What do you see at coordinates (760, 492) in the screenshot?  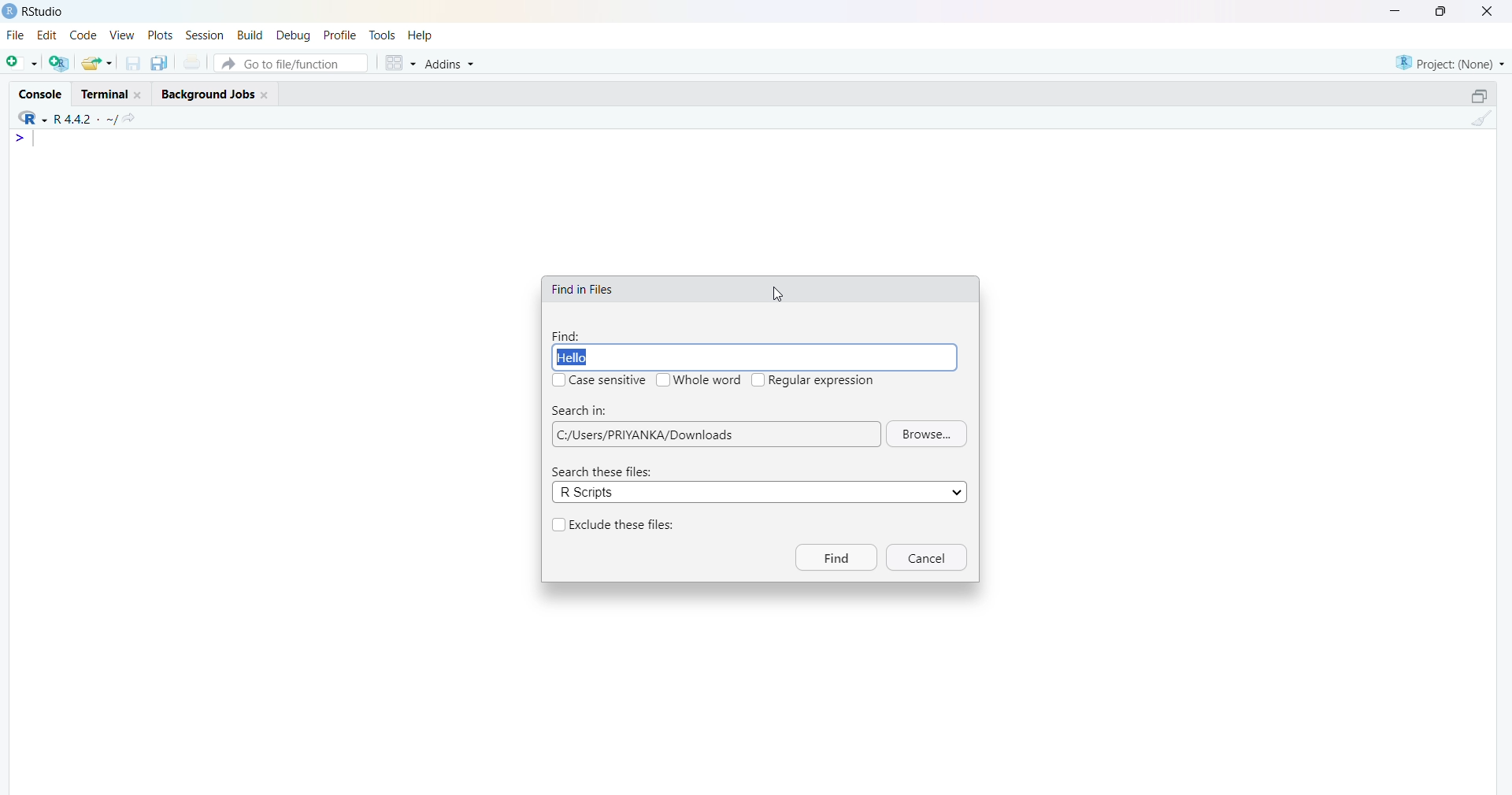 I see `R Scripts` at bounding box center [760, 492].